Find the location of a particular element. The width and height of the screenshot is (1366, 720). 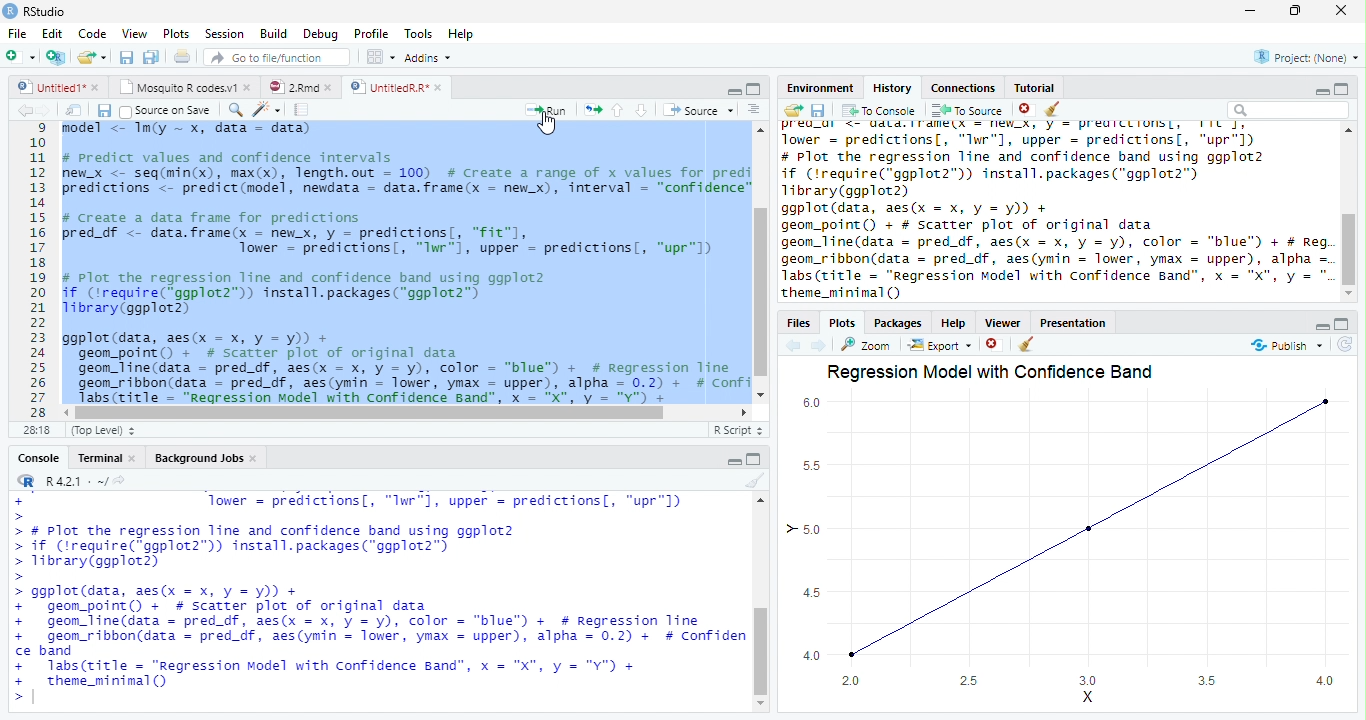

Show in new window is located at coordinates (74, 111).